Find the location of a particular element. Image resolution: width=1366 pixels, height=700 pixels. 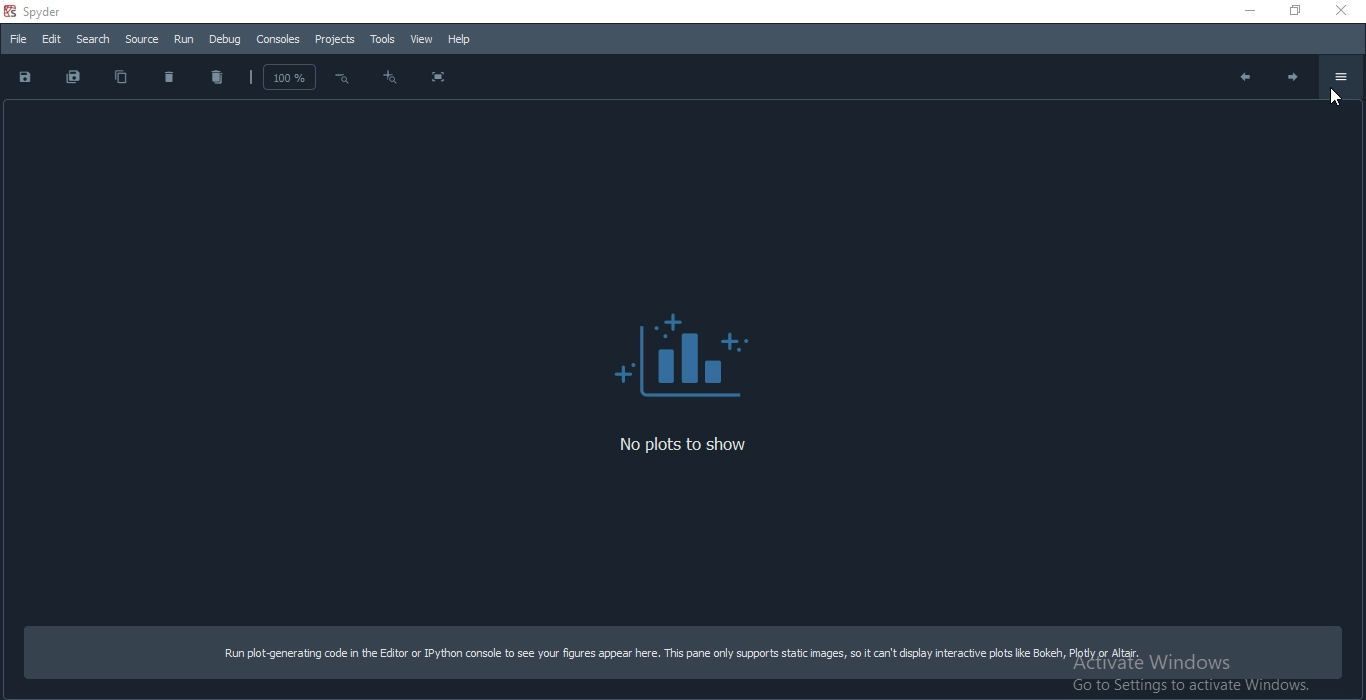

restore is located at coordinates (1289, 12).